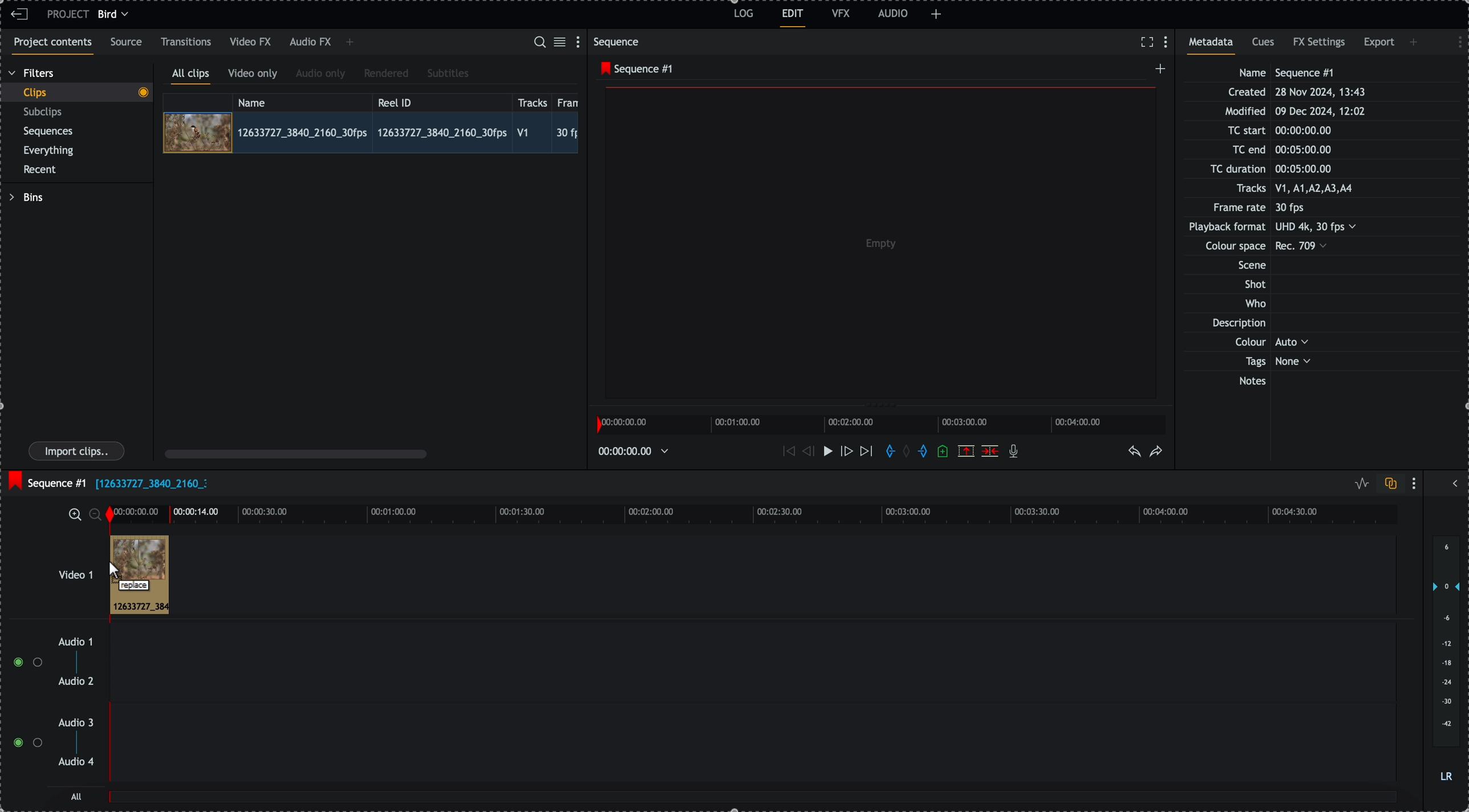 The height and width of the screenshot is (812, 1469). I want to click on show settings menu, so click(1417, 483).